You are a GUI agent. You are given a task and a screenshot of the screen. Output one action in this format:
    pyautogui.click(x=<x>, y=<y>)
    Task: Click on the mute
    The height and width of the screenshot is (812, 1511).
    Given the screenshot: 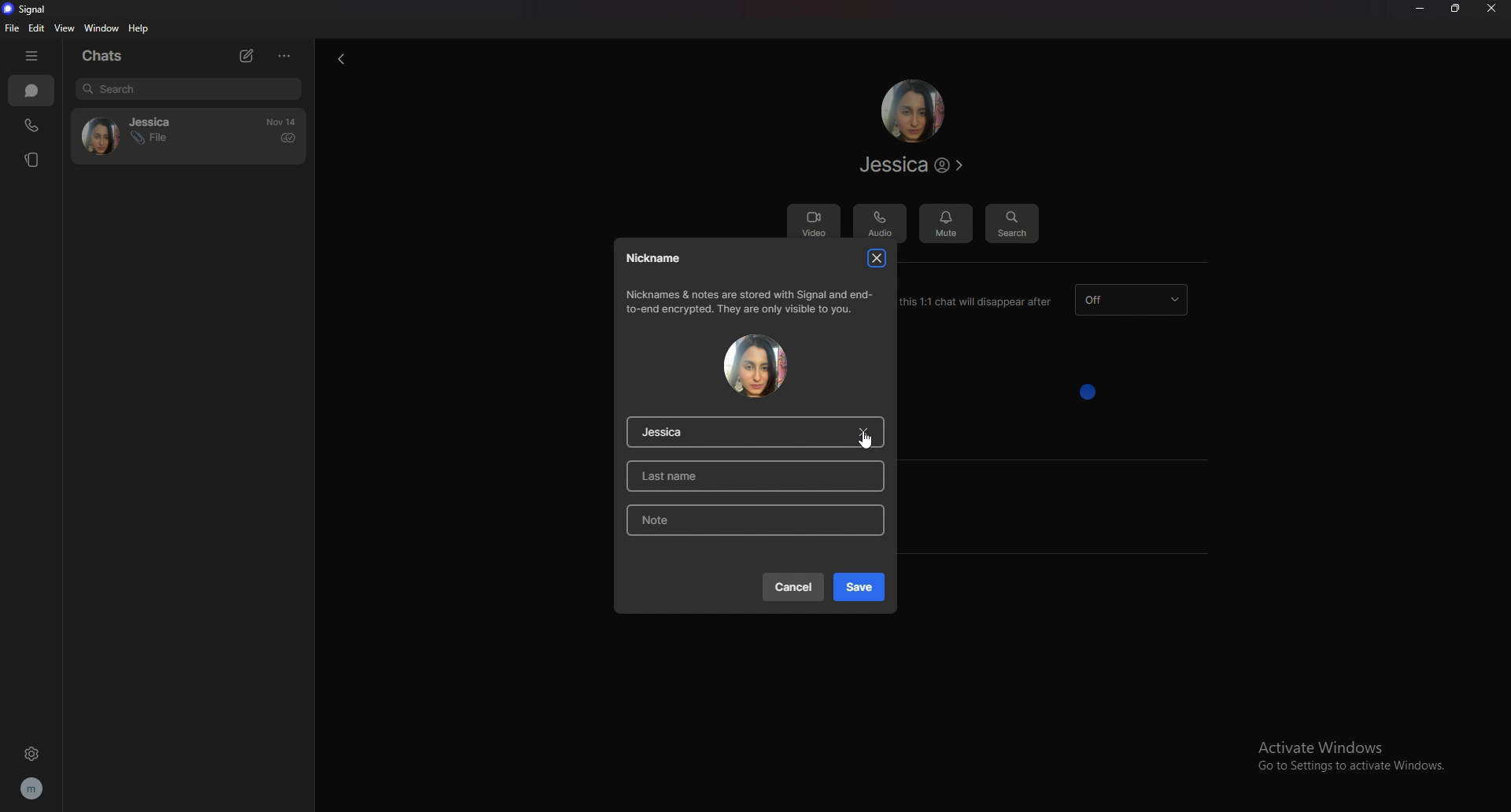 What is the action you would take?
    pyautogui.click(x=946, y=223)
    